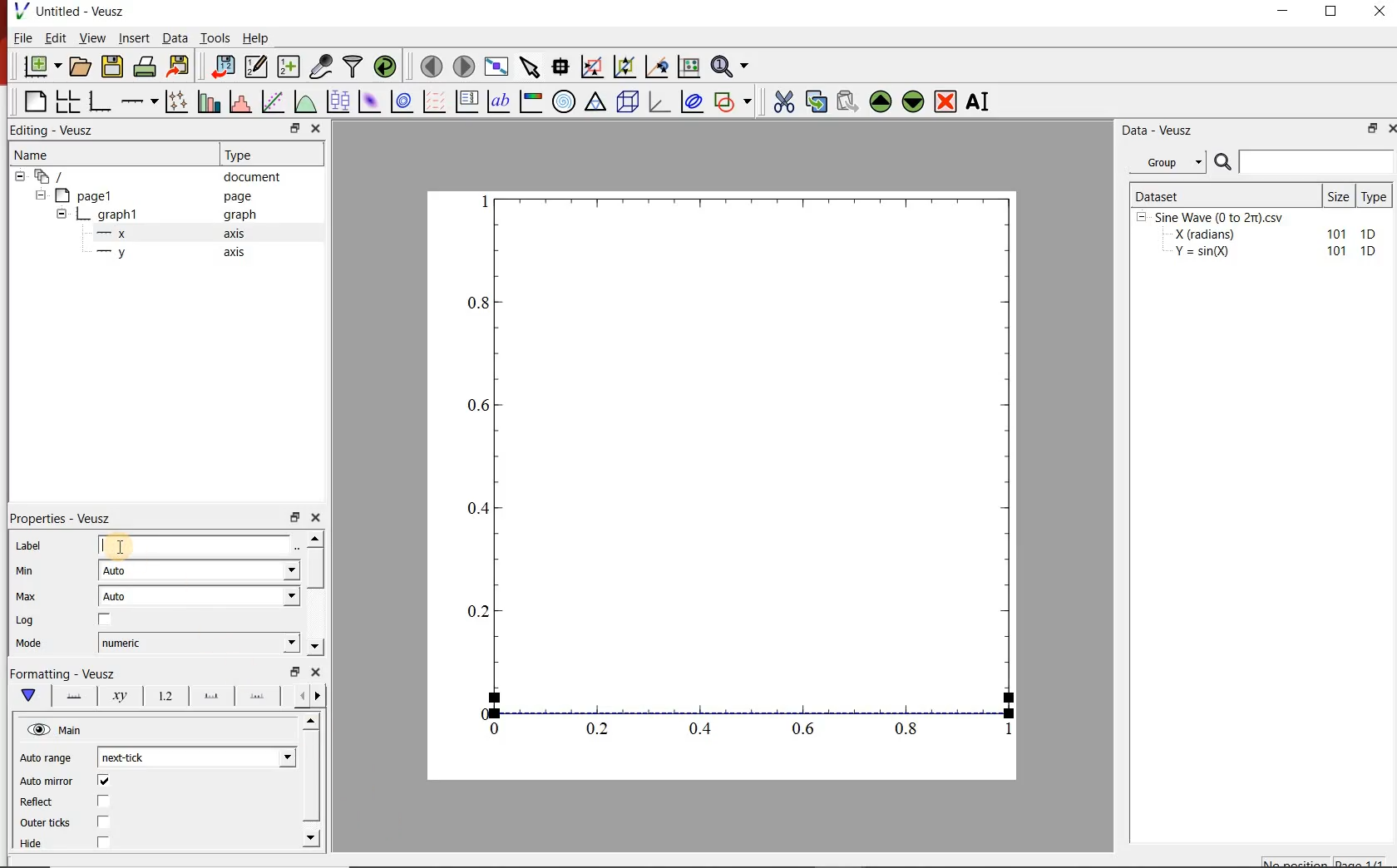 This screenshot has height=868, width=1397. Describe the element at coordinates (320, 696) in the screenshot. I see `Move right` at that location.